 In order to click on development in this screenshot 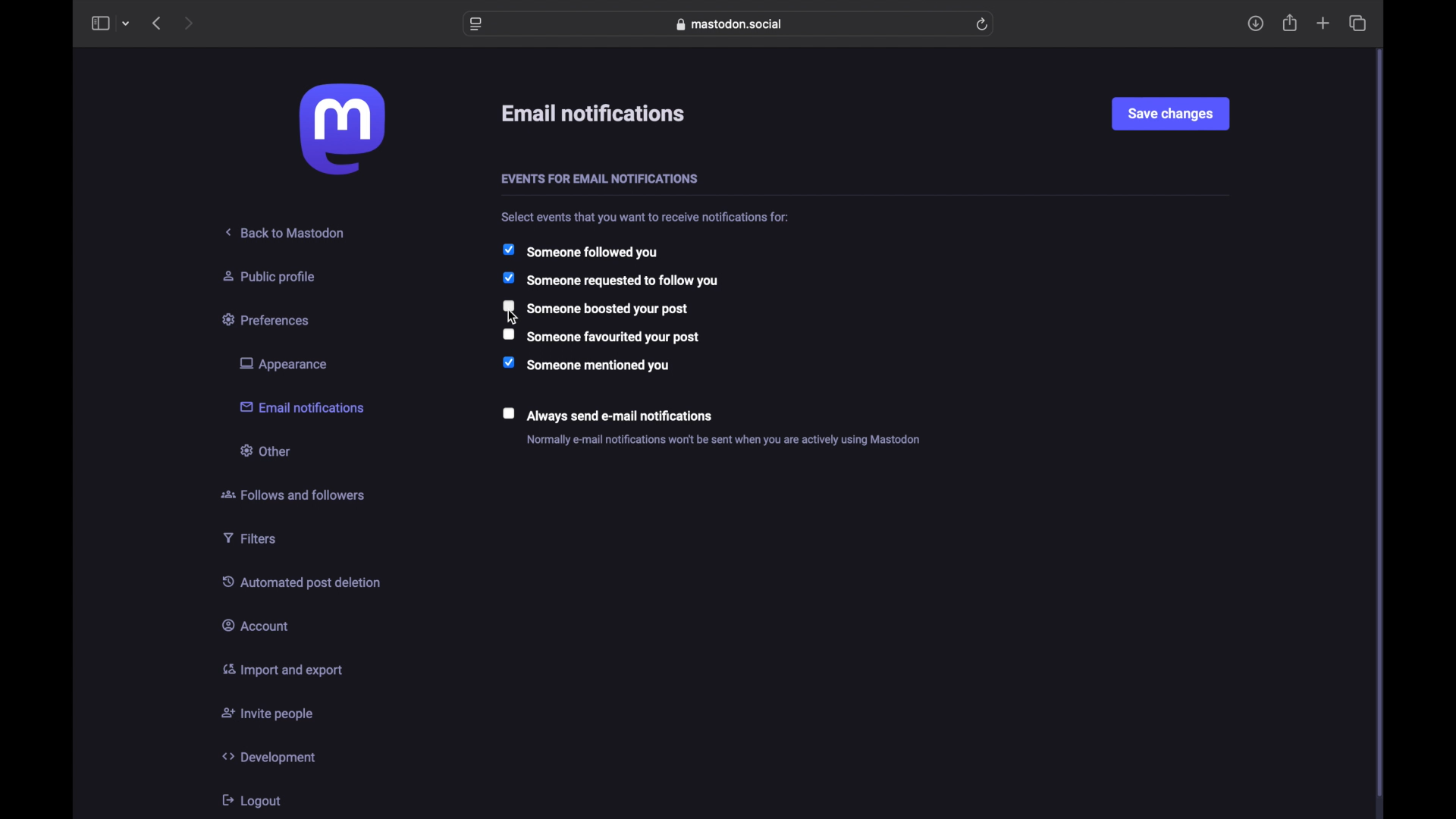, I will do `click(268, 757)`.